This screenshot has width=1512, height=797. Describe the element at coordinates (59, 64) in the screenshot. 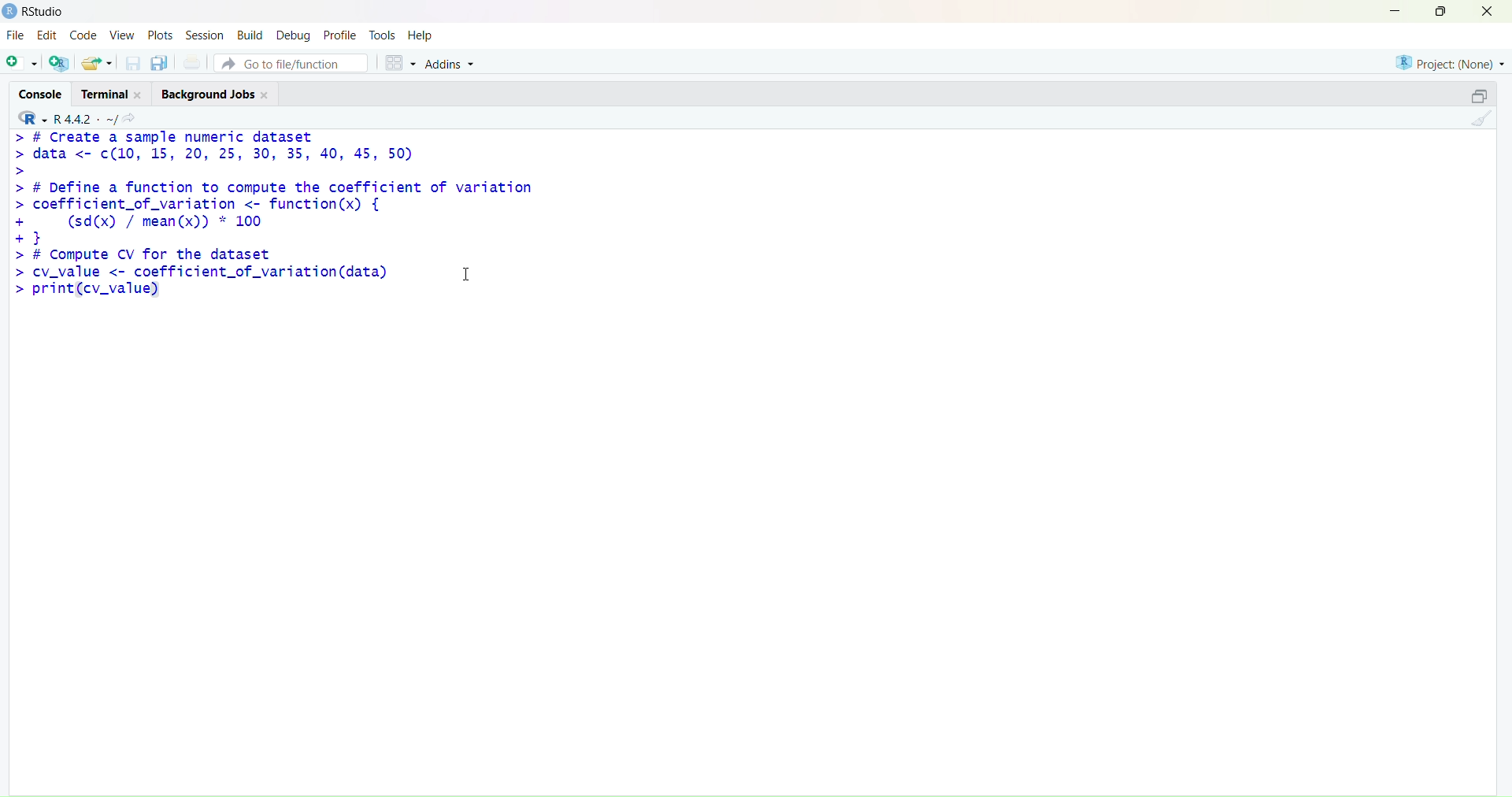

I see `add R file` at that location.